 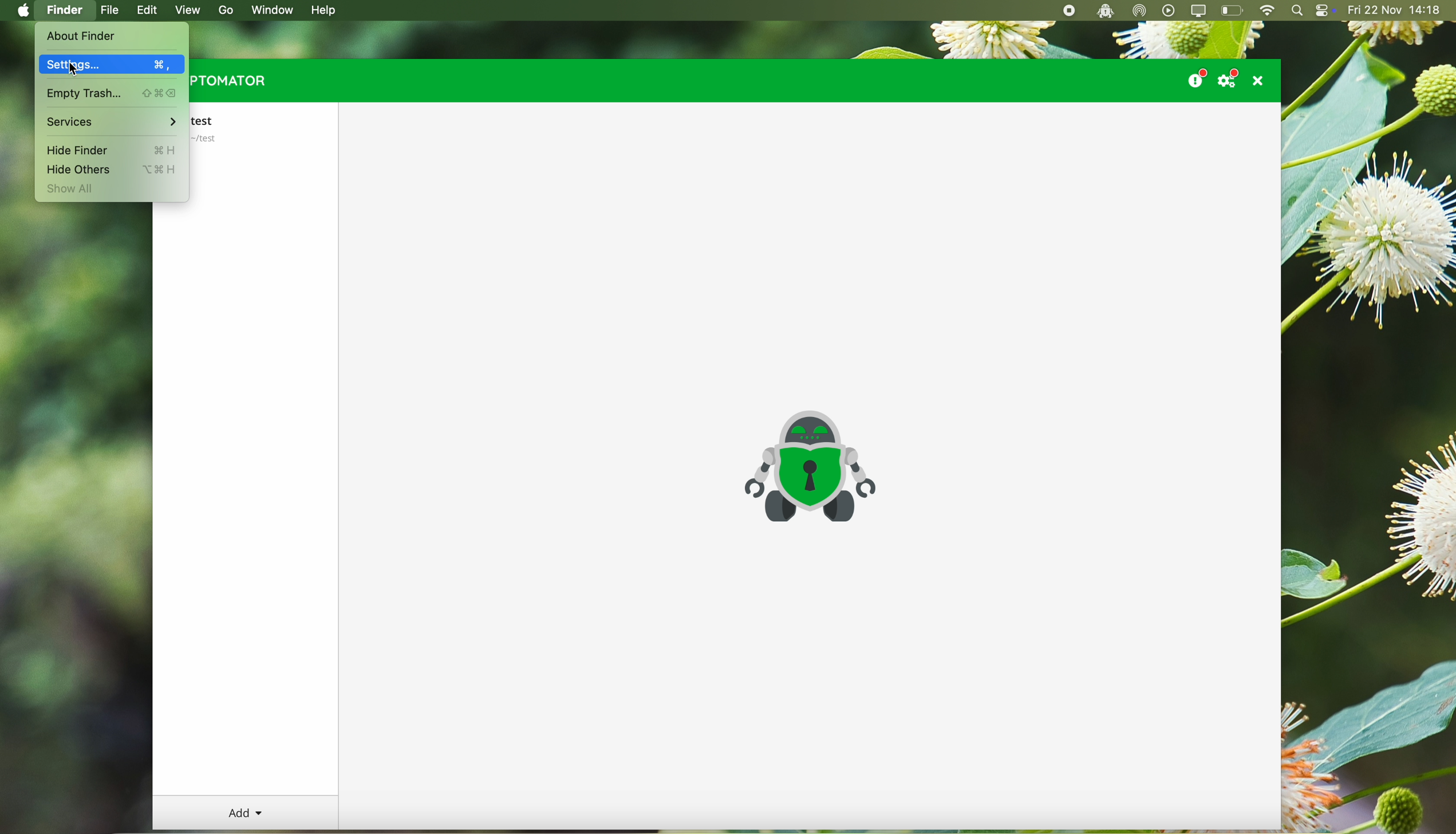 I want to click on view, so click(x=187, y=10).